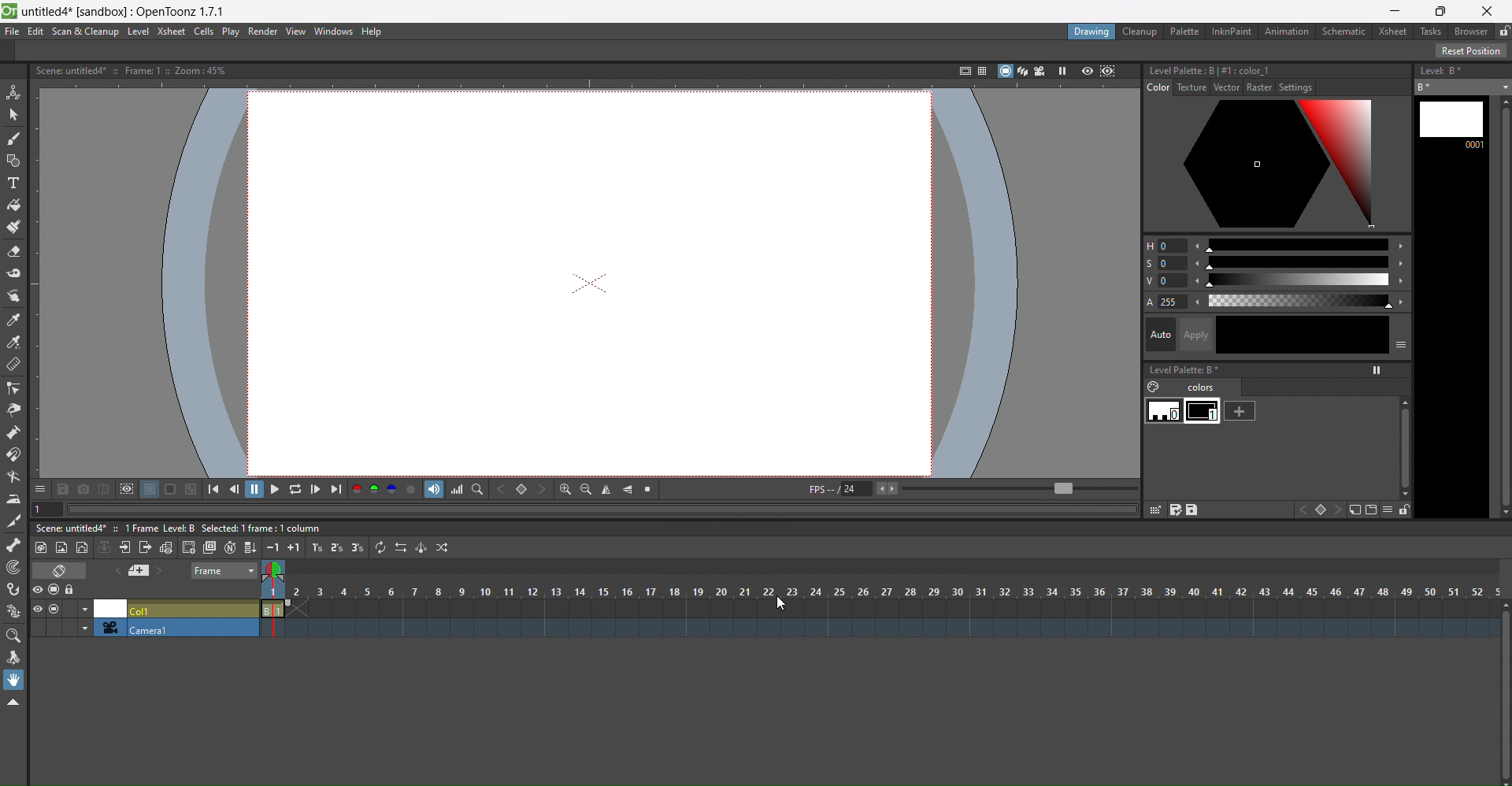  I want to click on level, so click(138, 32).